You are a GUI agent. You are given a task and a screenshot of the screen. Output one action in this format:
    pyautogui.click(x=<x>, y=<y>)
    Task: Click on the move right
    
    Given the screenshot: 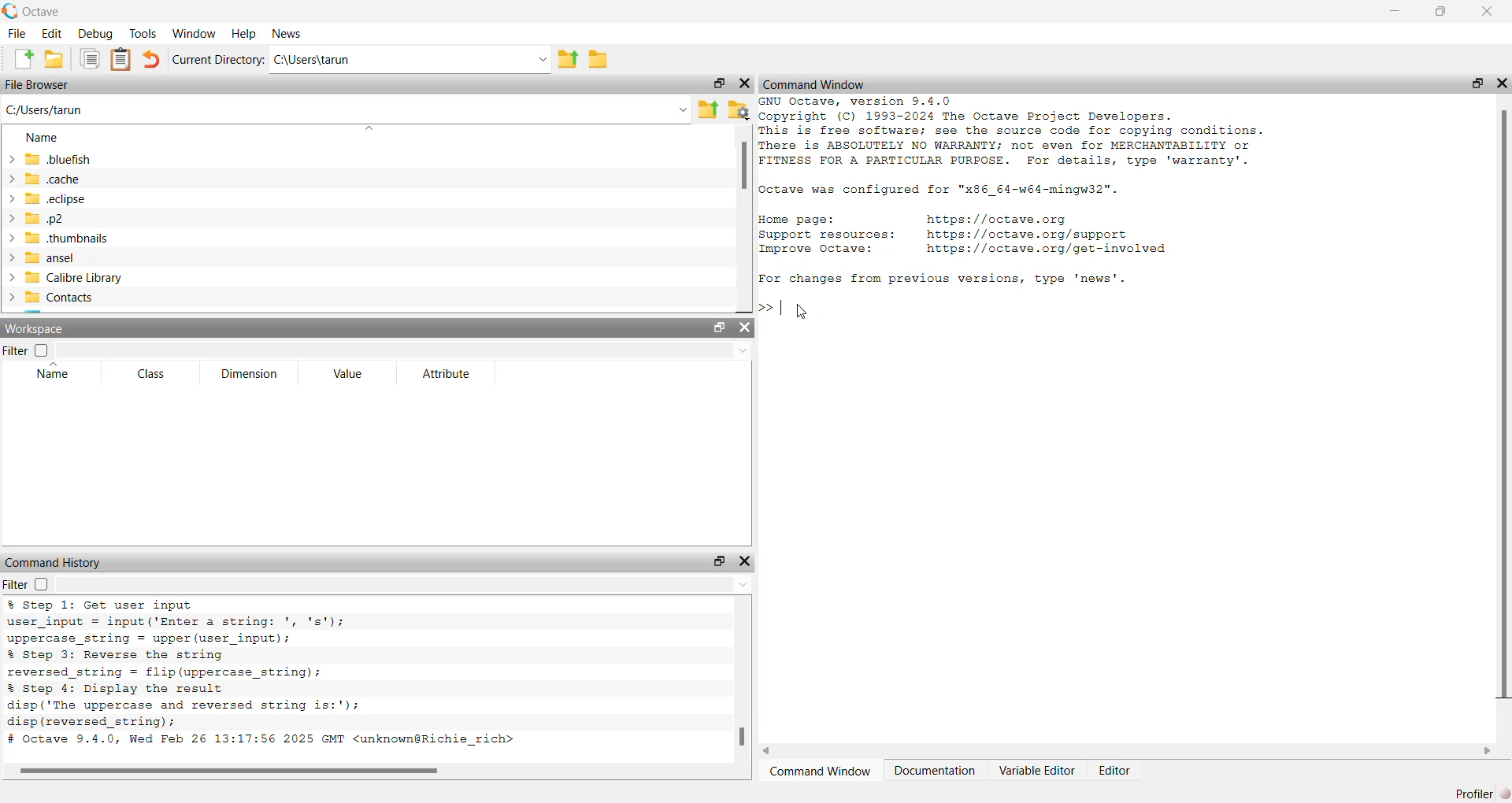 What is the action you would take?
    pyautogui.click(x=1488, y=750)
    